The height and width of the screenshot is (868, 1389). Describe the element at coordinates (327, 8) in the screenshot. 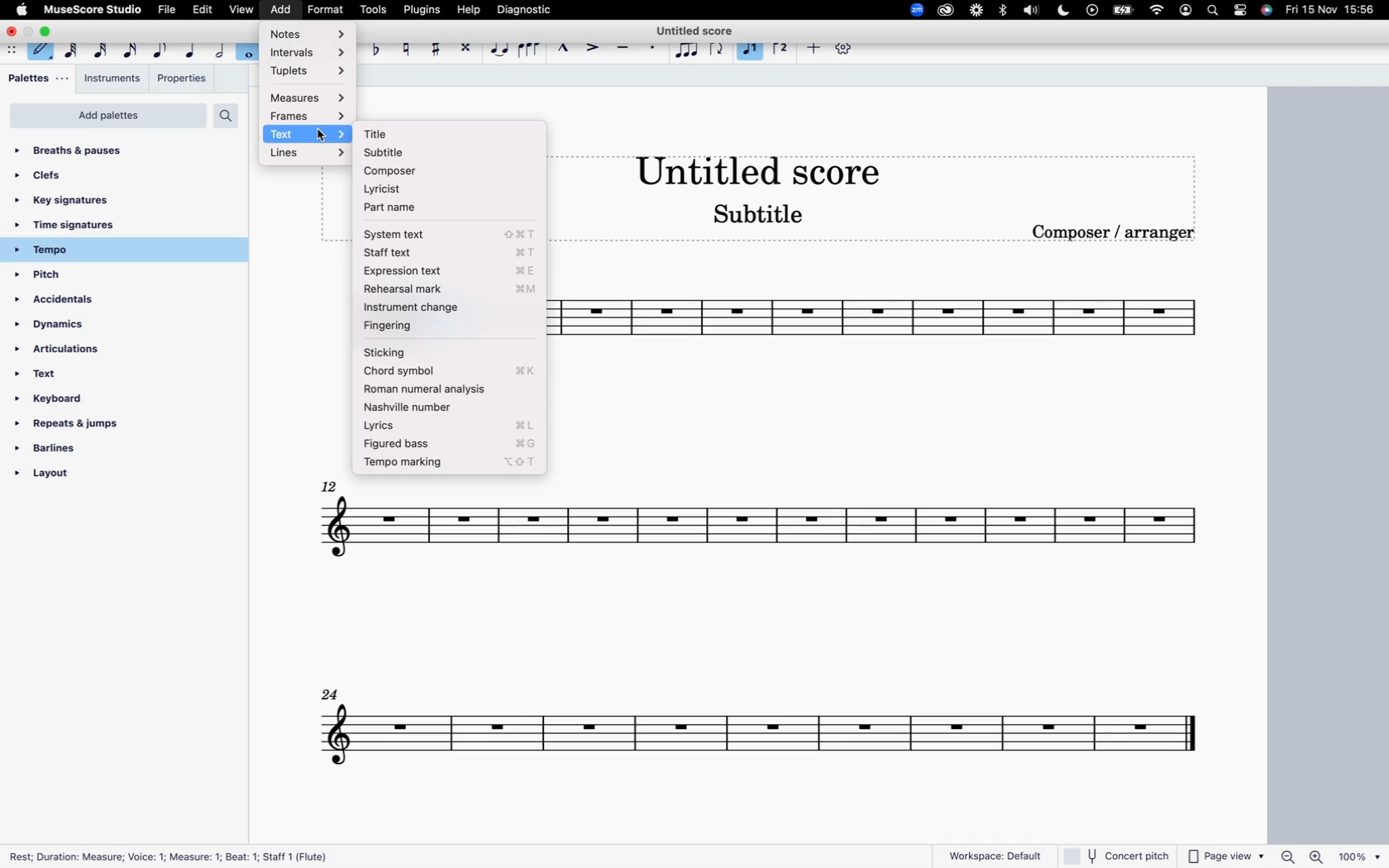

I see `format` at that location.